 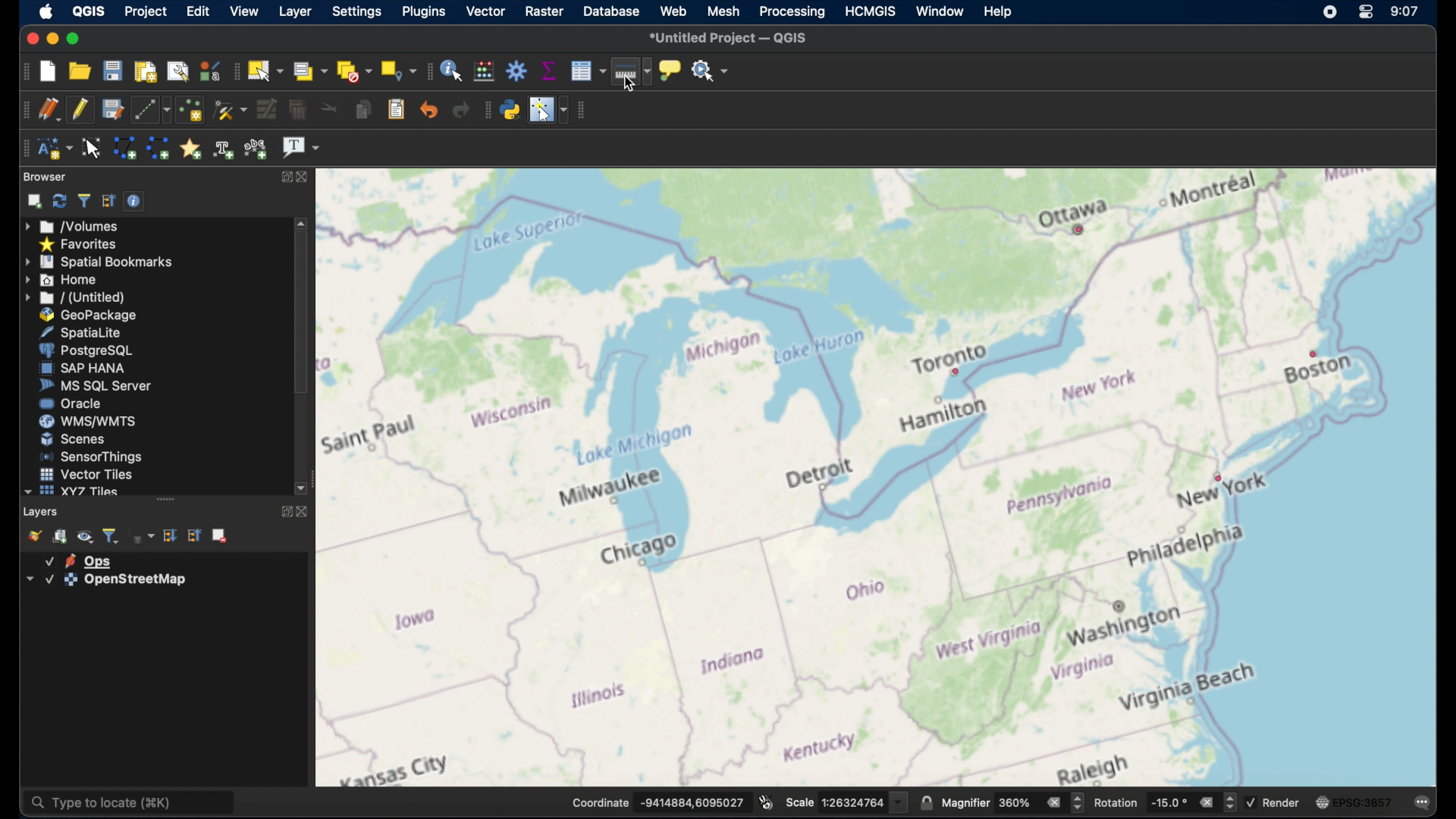 I want to click on vector toolbar, so click(x=584, y=111).